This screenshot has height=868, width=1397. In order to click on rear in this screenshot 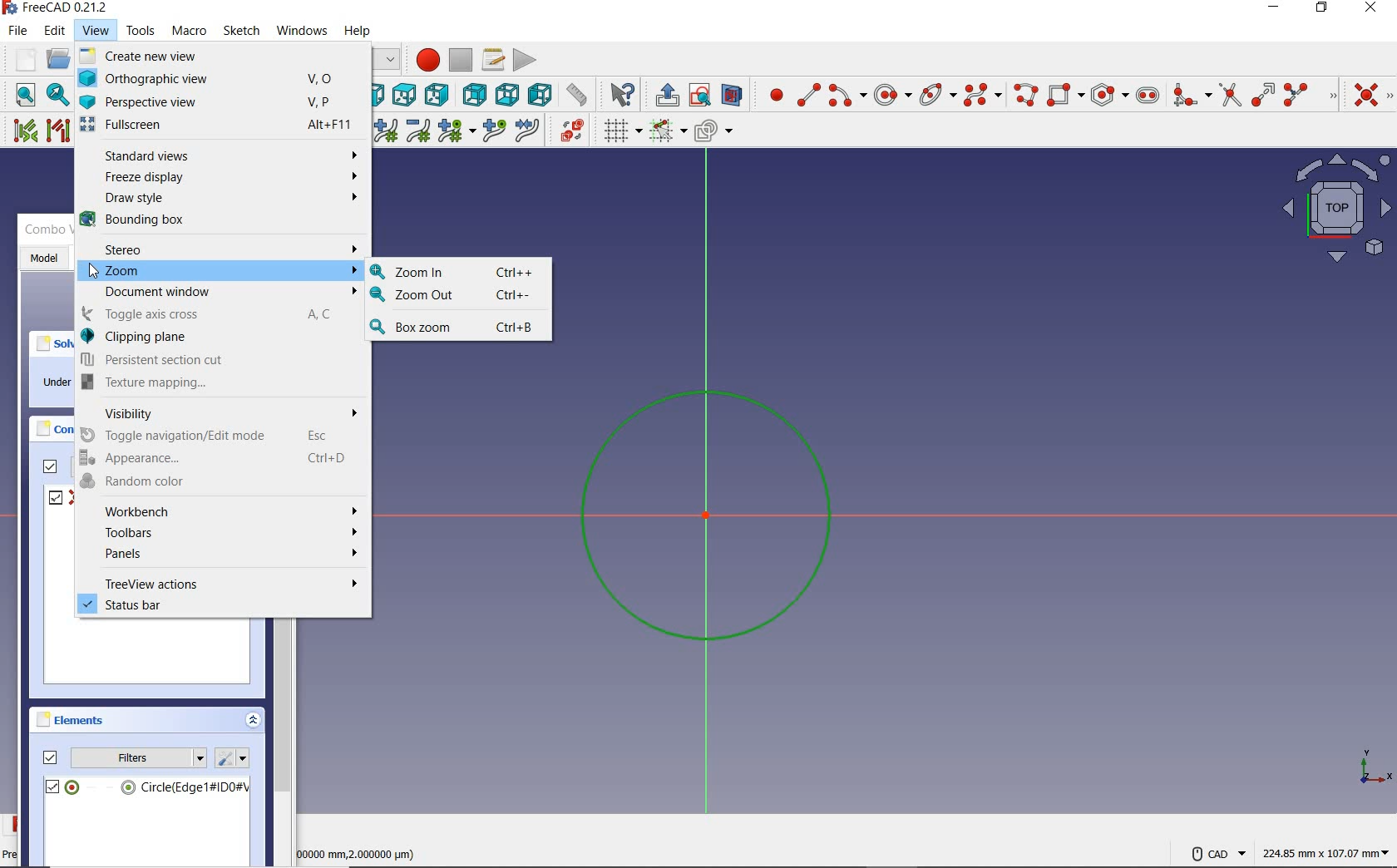, I will do `click(471, 92)`.